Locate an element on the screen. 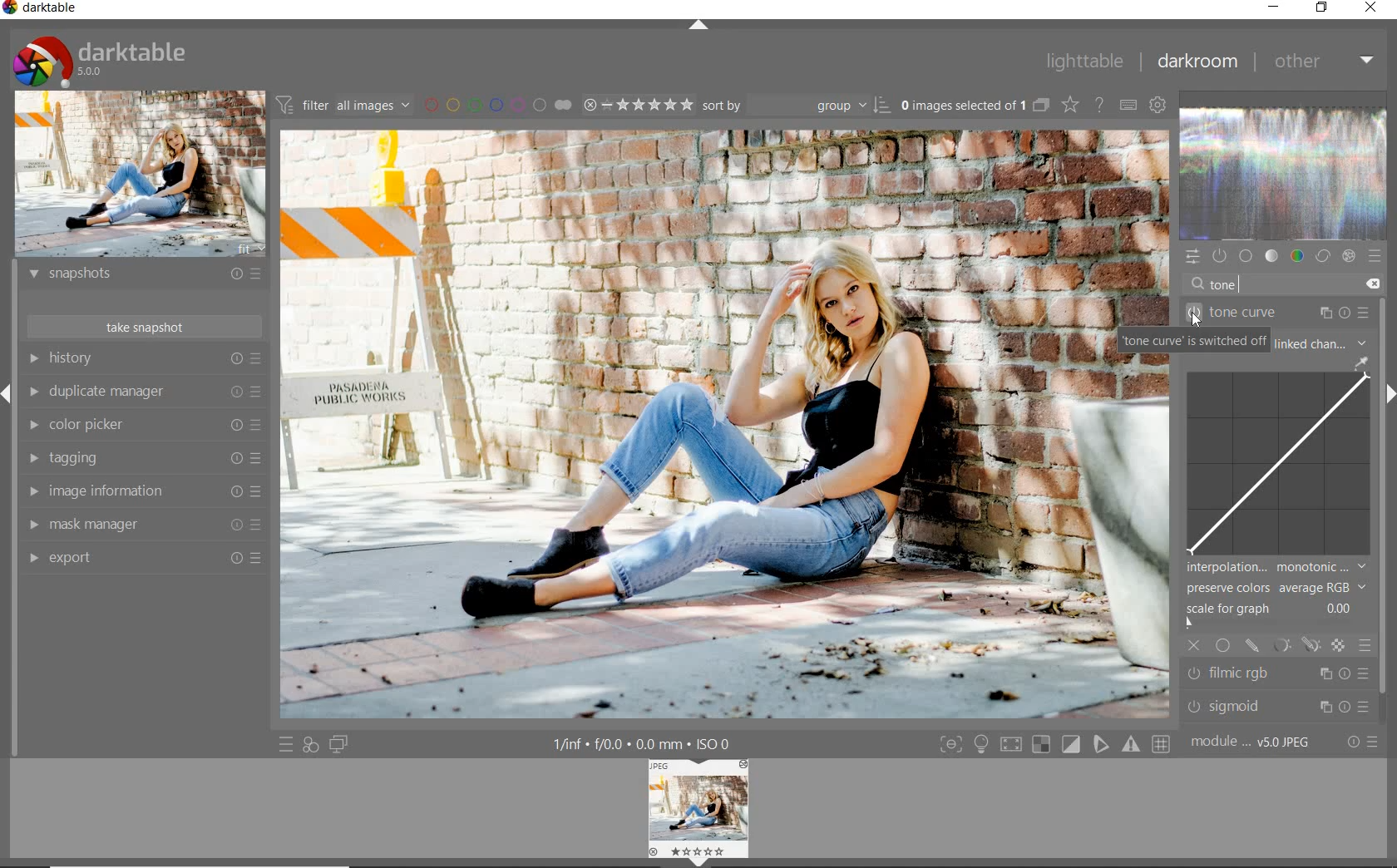 The width and height of the screenshot is (1397, 868). display a second darkroom image below is located at coordinates (341, 743).